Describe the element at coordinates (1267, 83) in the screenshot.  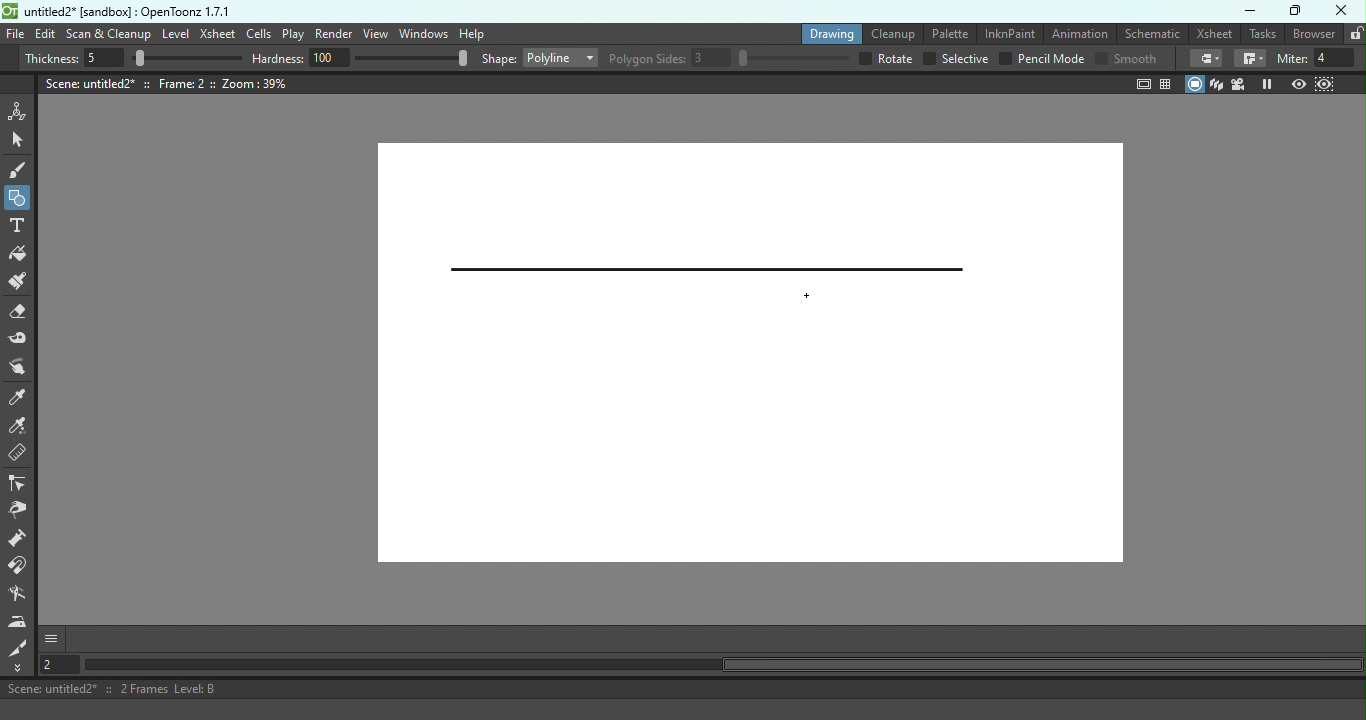
I see `Freeze` at that location.